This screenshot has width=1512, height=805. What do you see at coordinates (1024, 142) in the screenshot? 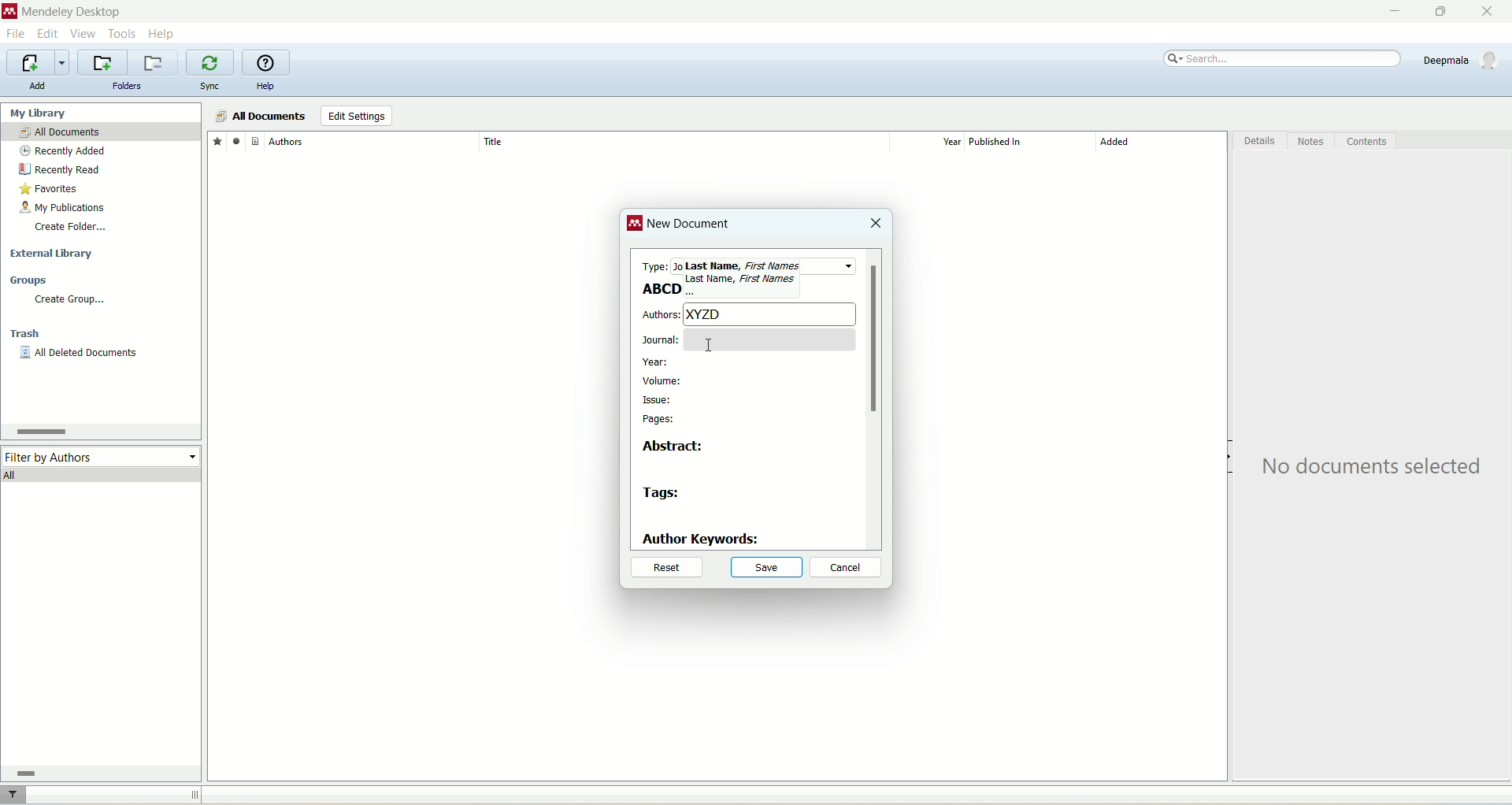
I see `published in` at bounding box center [1024, 142].